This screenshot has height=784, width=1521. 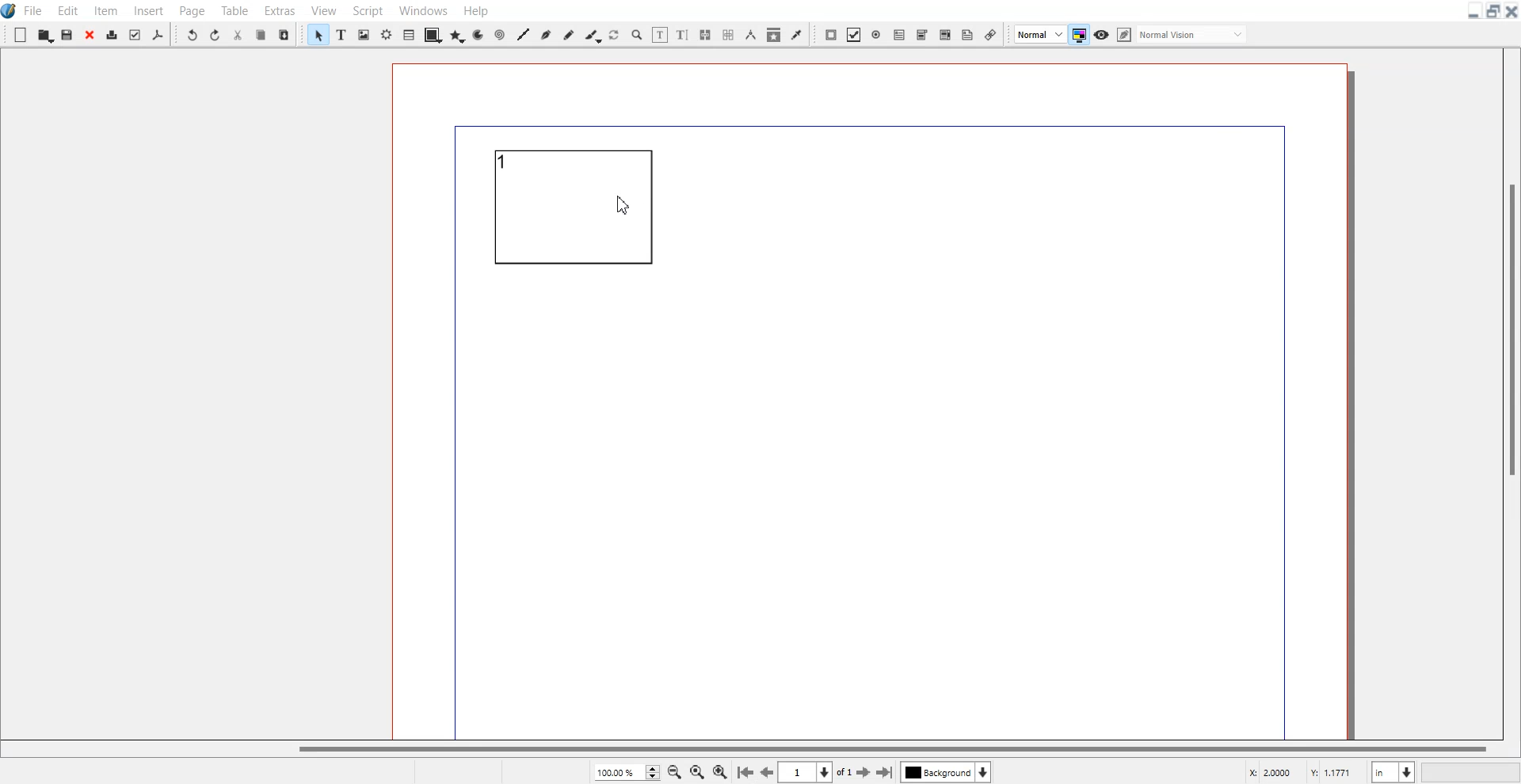 What do you see at coordinates (498, 34) in the screenshot?
I see `Spiral` at bounding box center [498, 34].